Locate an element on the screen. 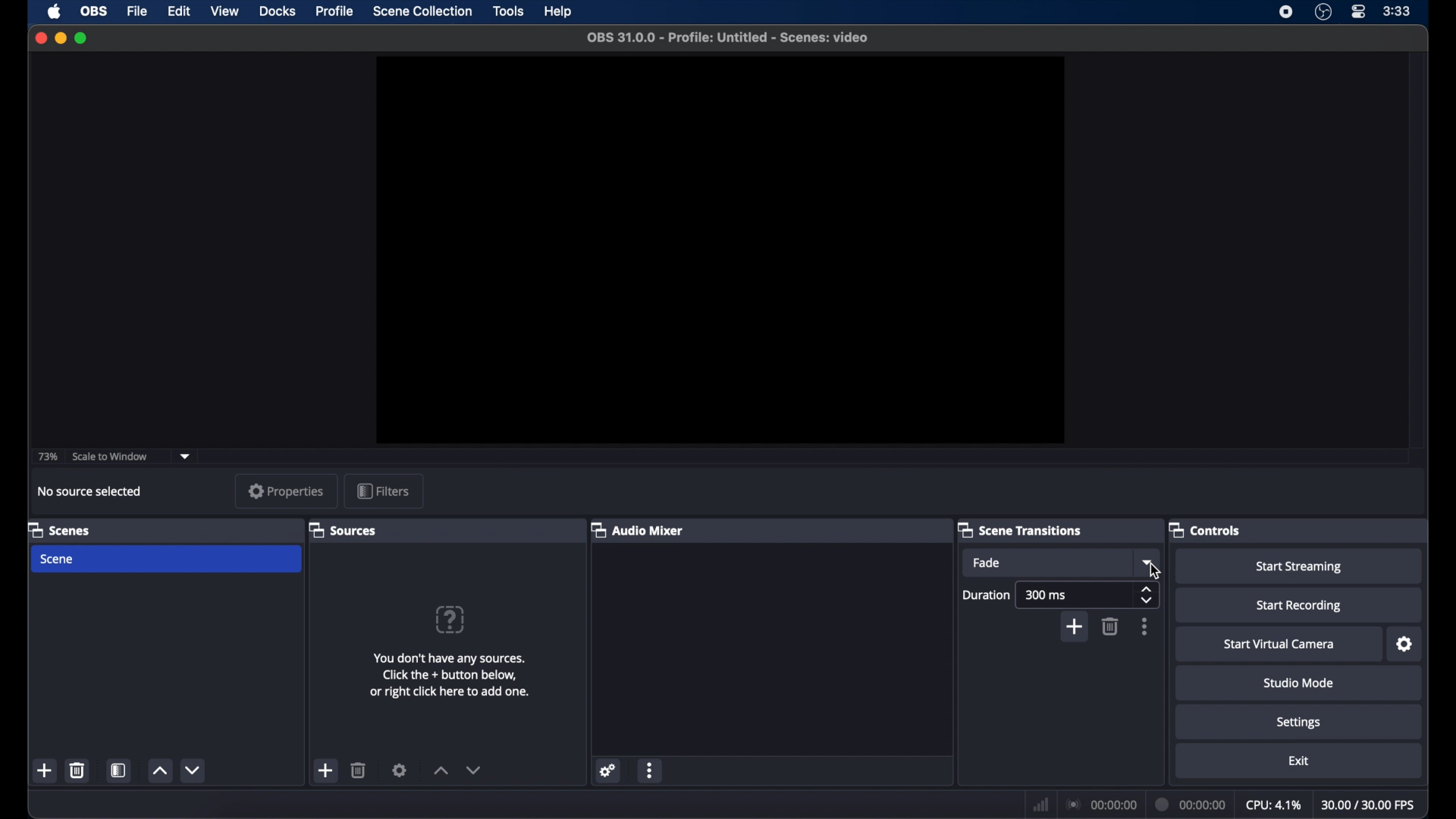 Image resolution: width=1456 pixels, height=819 pixels. scene transitions is located at coordinates (1021, 529).